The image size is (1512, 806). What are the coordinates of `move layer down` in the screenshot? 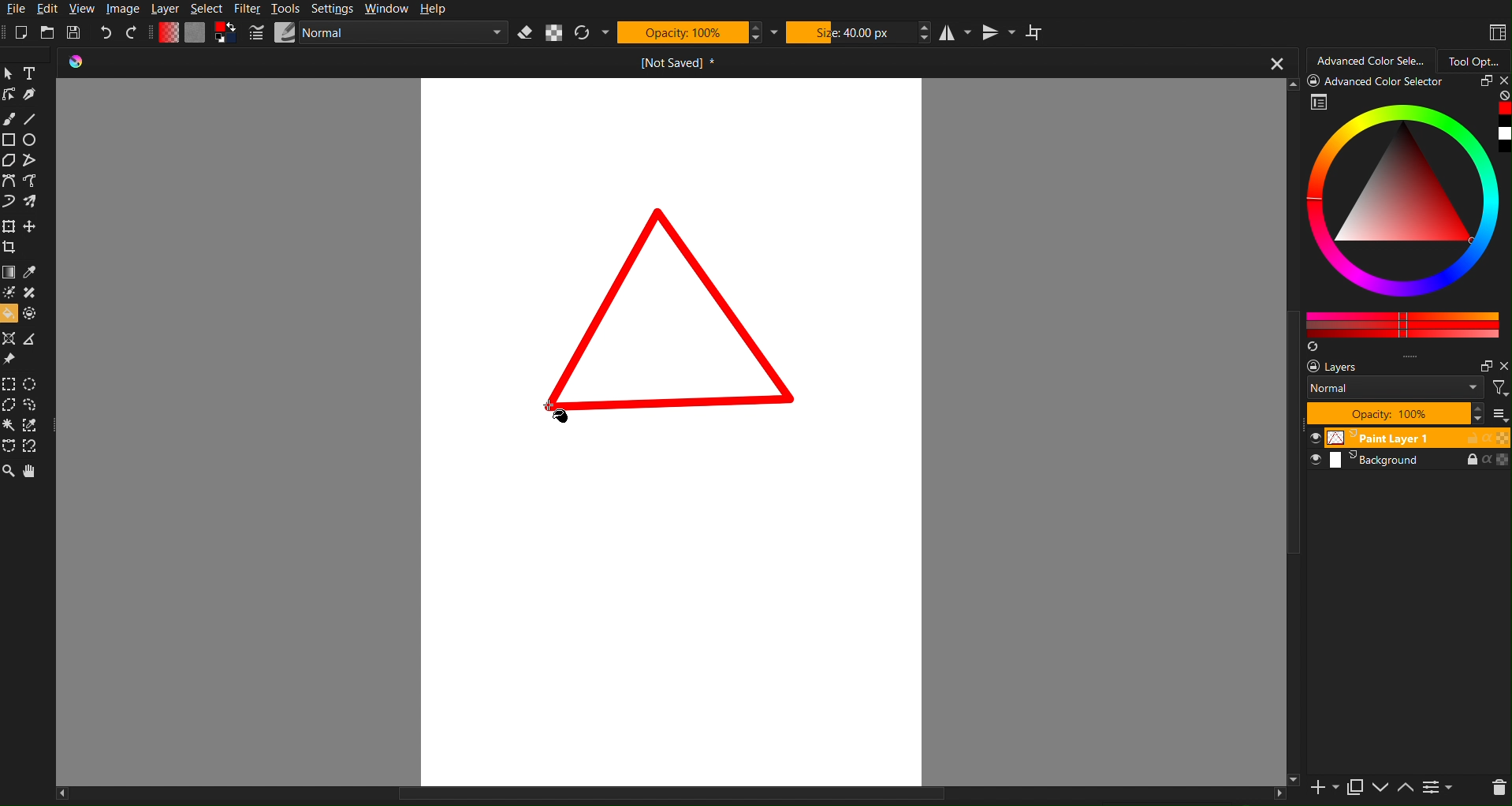 It's located at (1380, 789).